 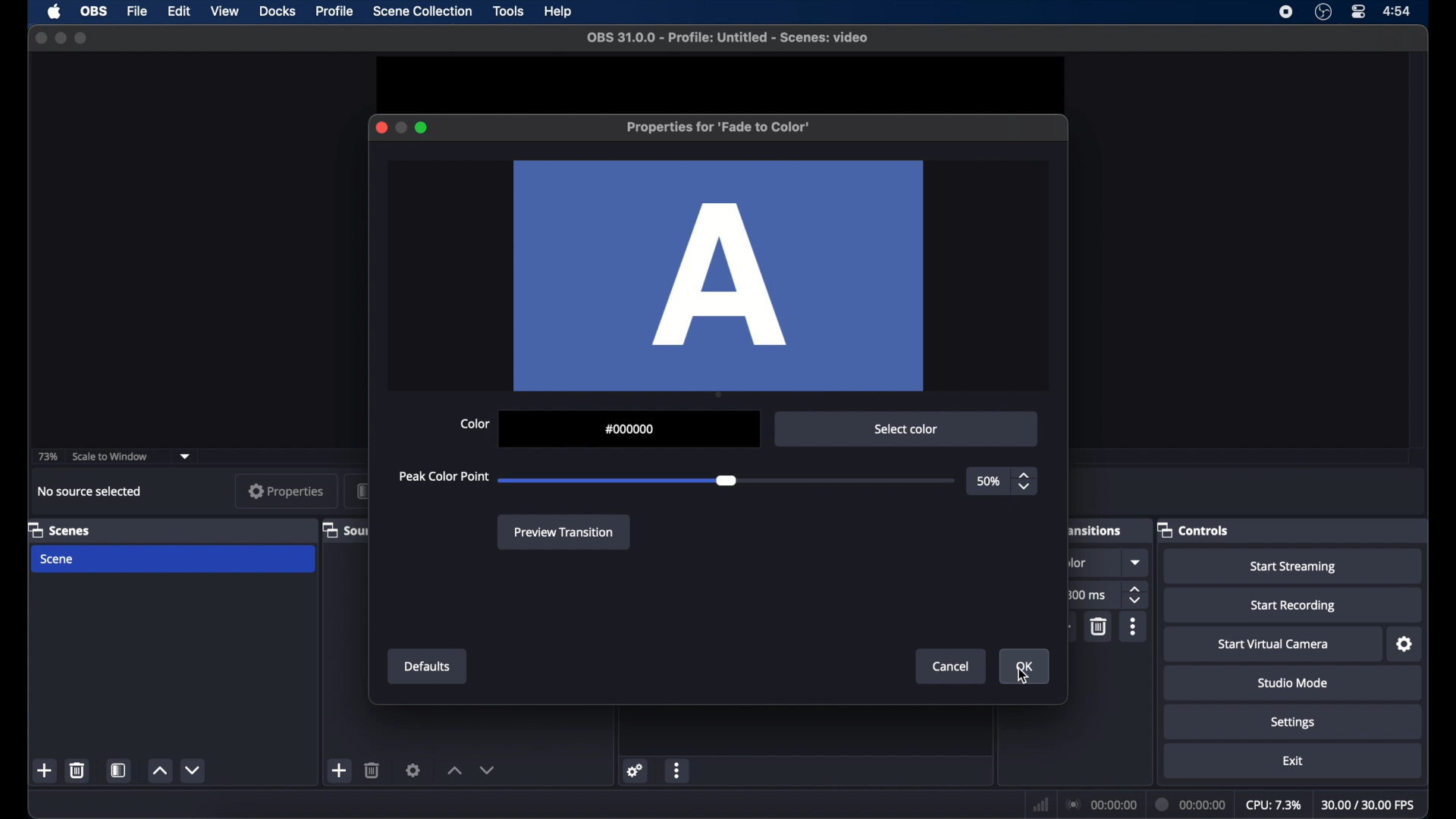 What do you see at coordinates (717, 127) in the screenshot?
I see `properties for fade to color` at bounding box center [717, 127].